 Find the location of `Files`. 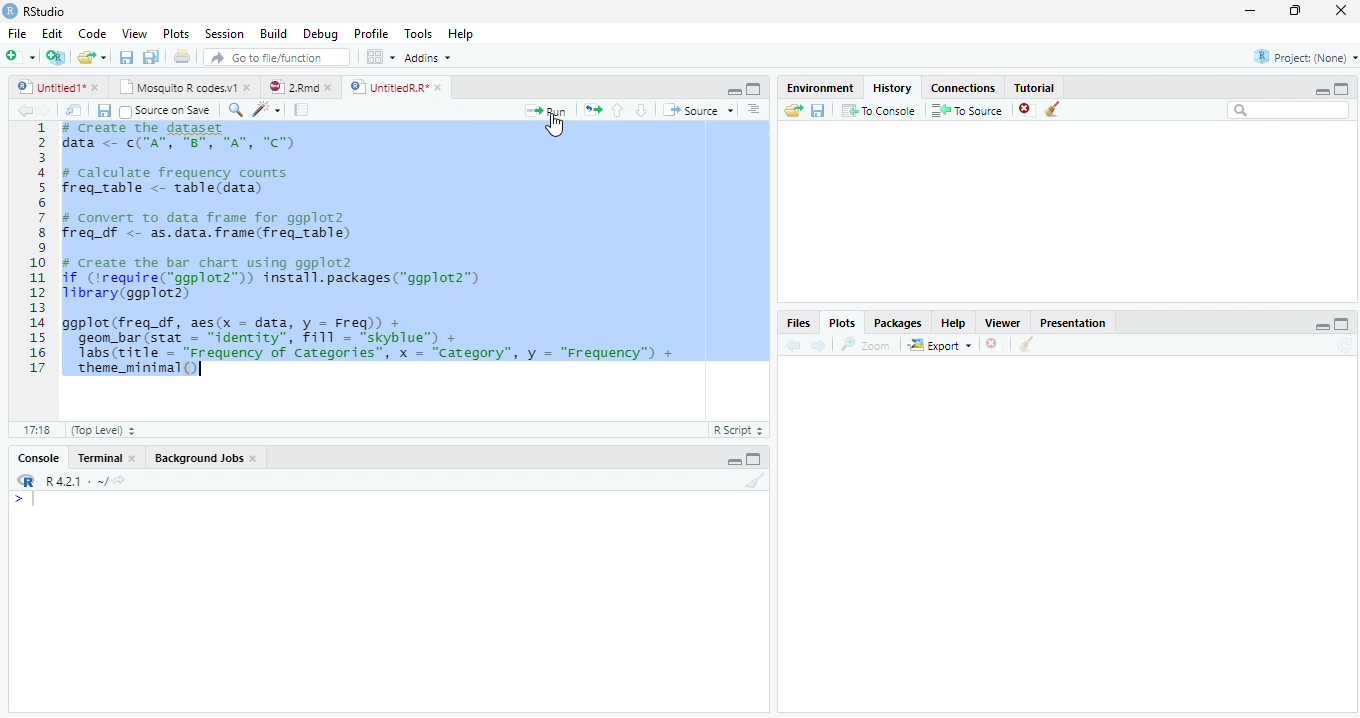

Files is located at coordinates (801, 323).